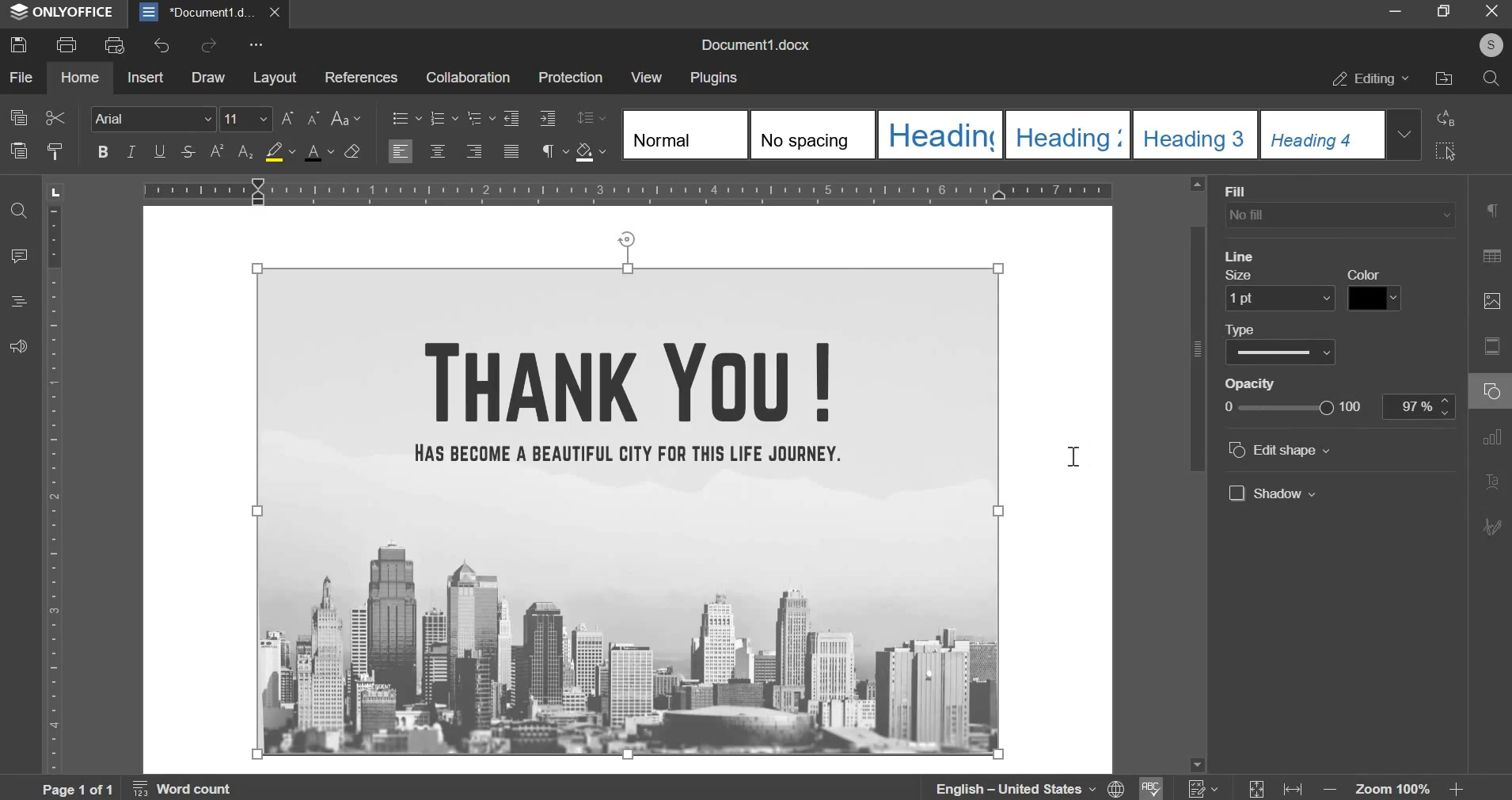 Image resolution: width=1512 pixels, height=800 pixels. Describe the element at coordinates (290, 119) in the screenshot. I see `incremental font size` at that location.